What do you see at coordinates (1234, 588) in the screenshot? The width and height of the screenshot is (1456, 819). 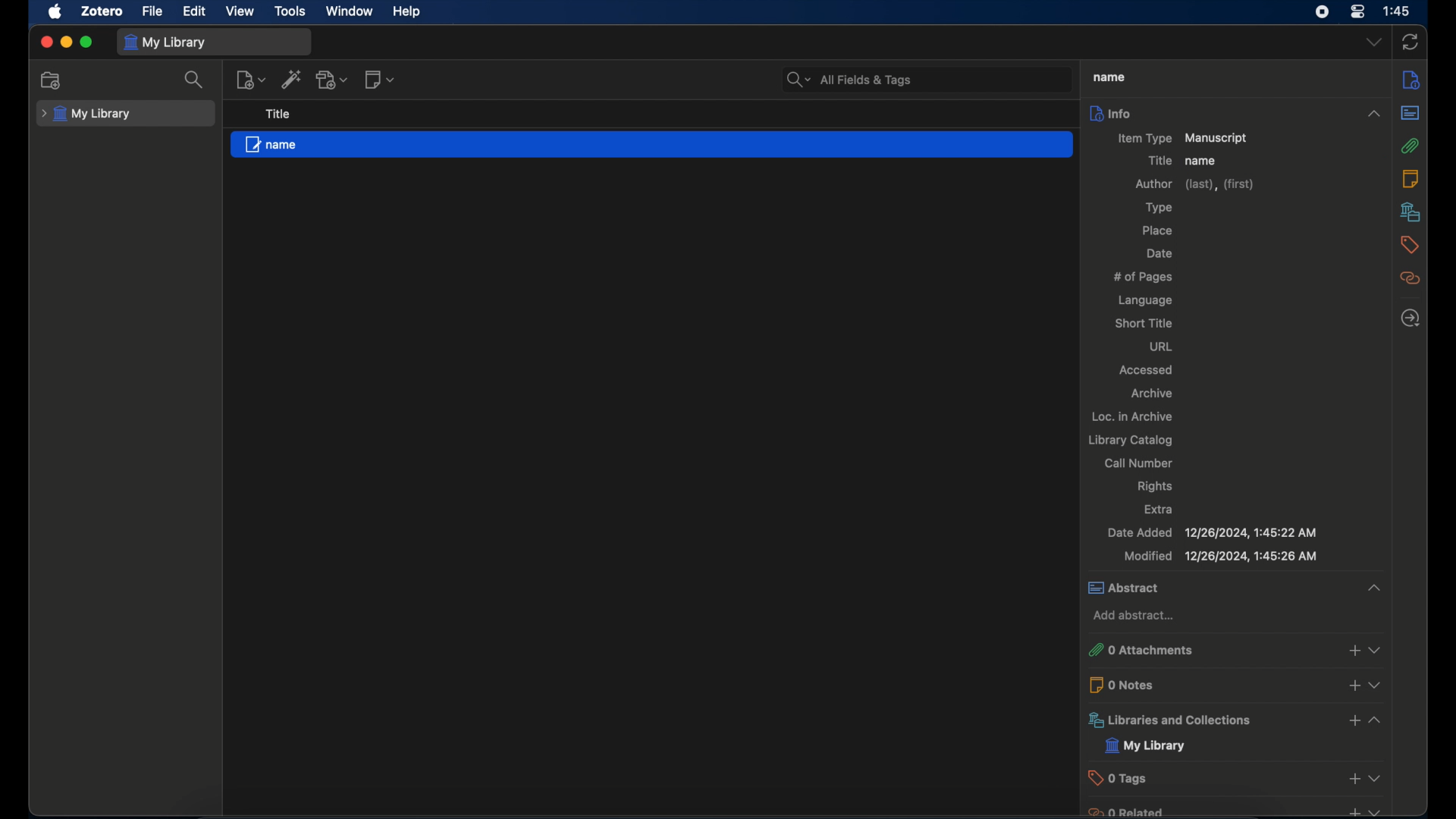 I see `abstract` at bounding box center [1234, 588].